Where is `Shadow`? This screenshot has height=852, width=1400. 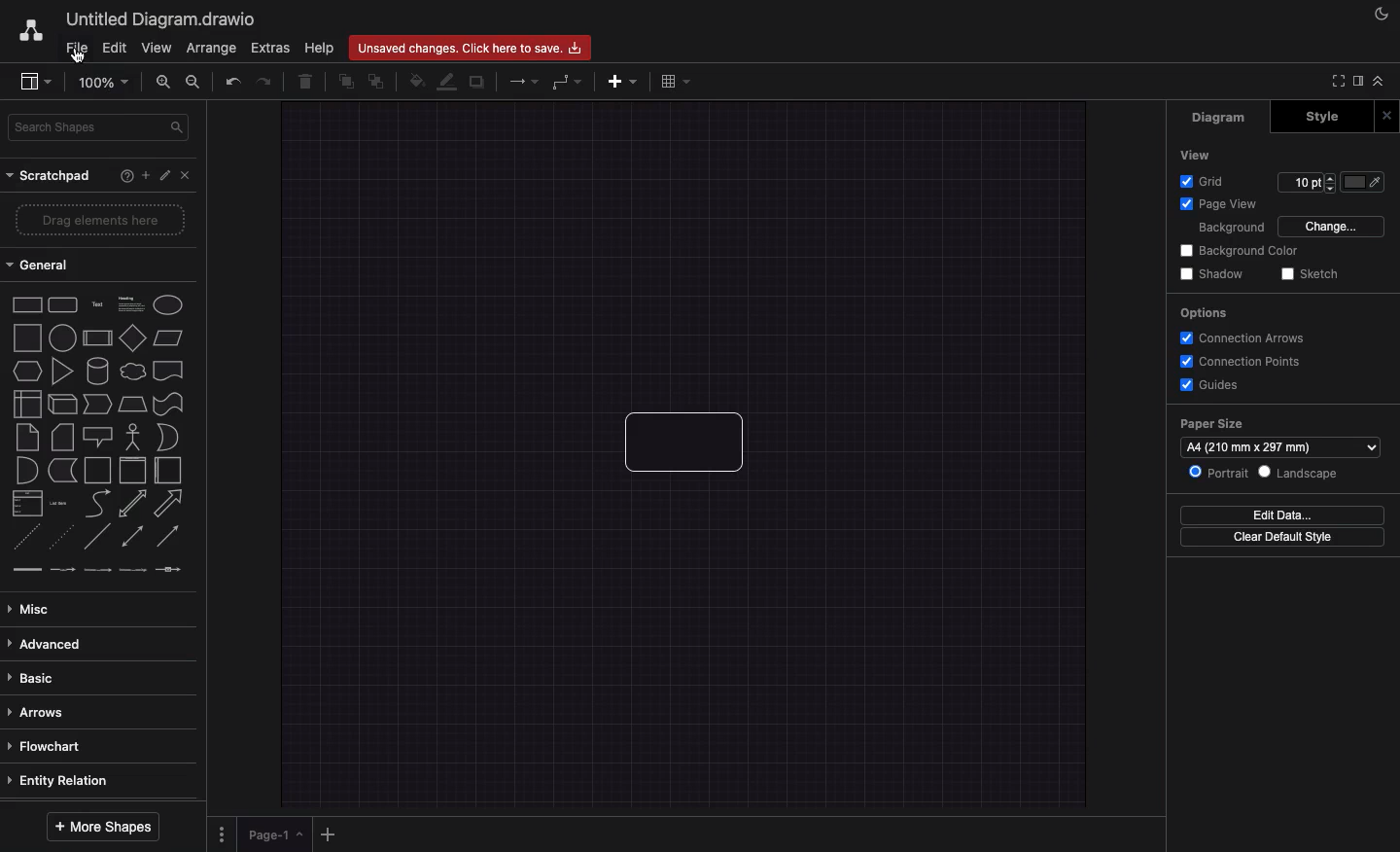 Shadow is located at coordinates (1209, 275).